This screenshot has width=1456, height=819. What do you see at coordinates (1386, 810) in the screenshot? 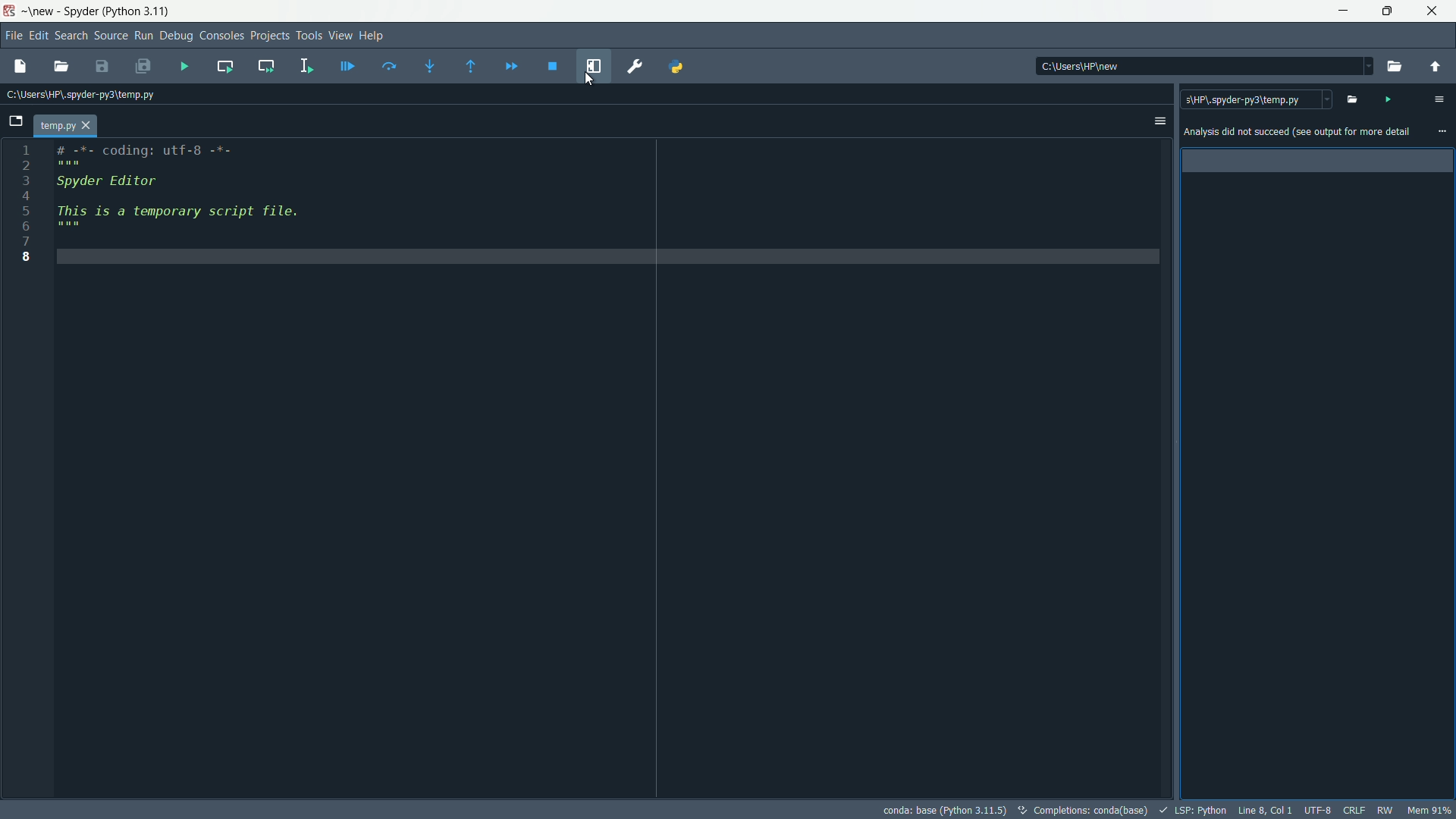
I see `rw` at bounding box center [1386, 810].